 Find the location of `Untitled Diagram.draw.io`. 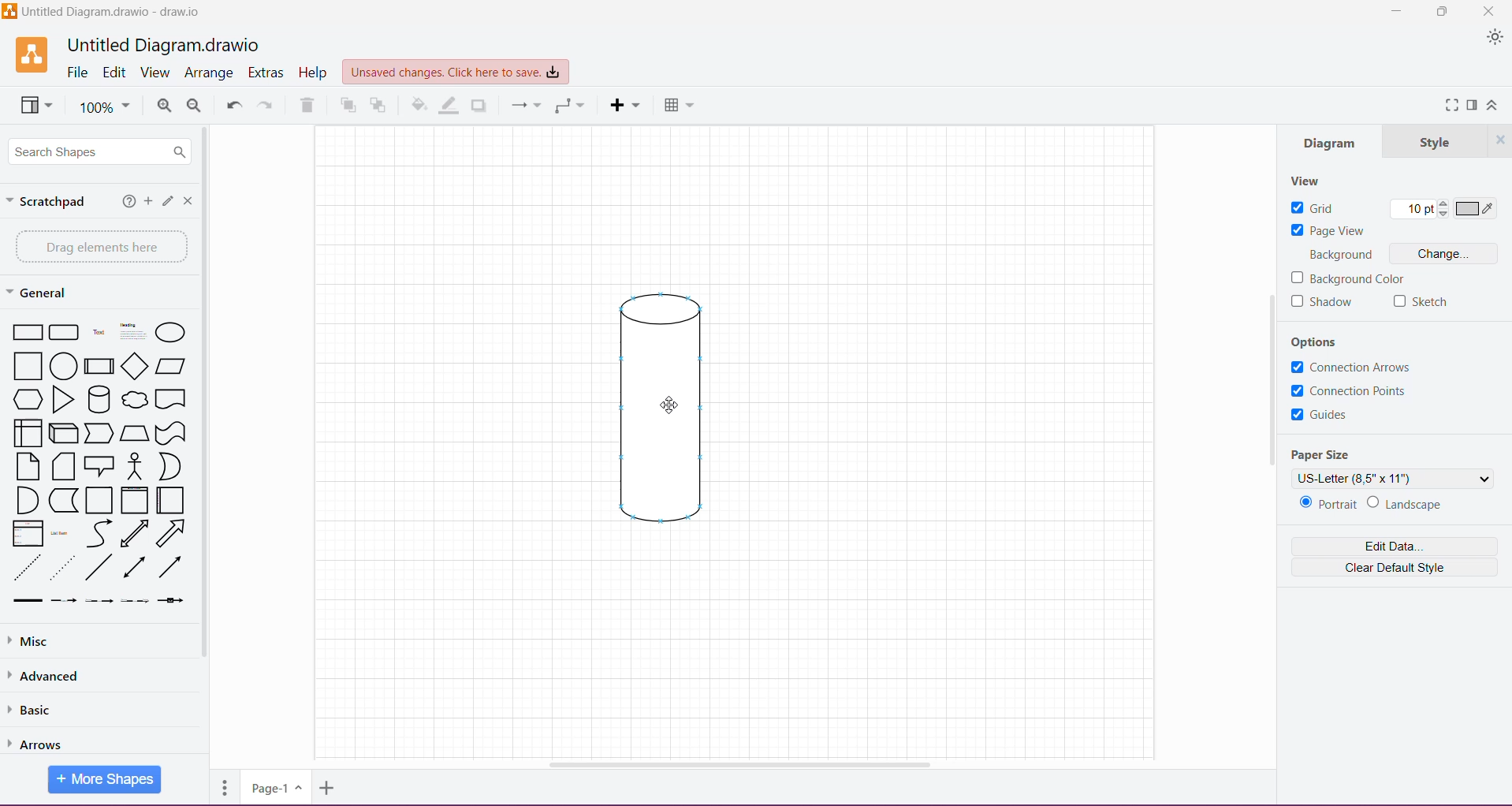

Untitled Diagram.draw.io is located at coordinates (162, 43).